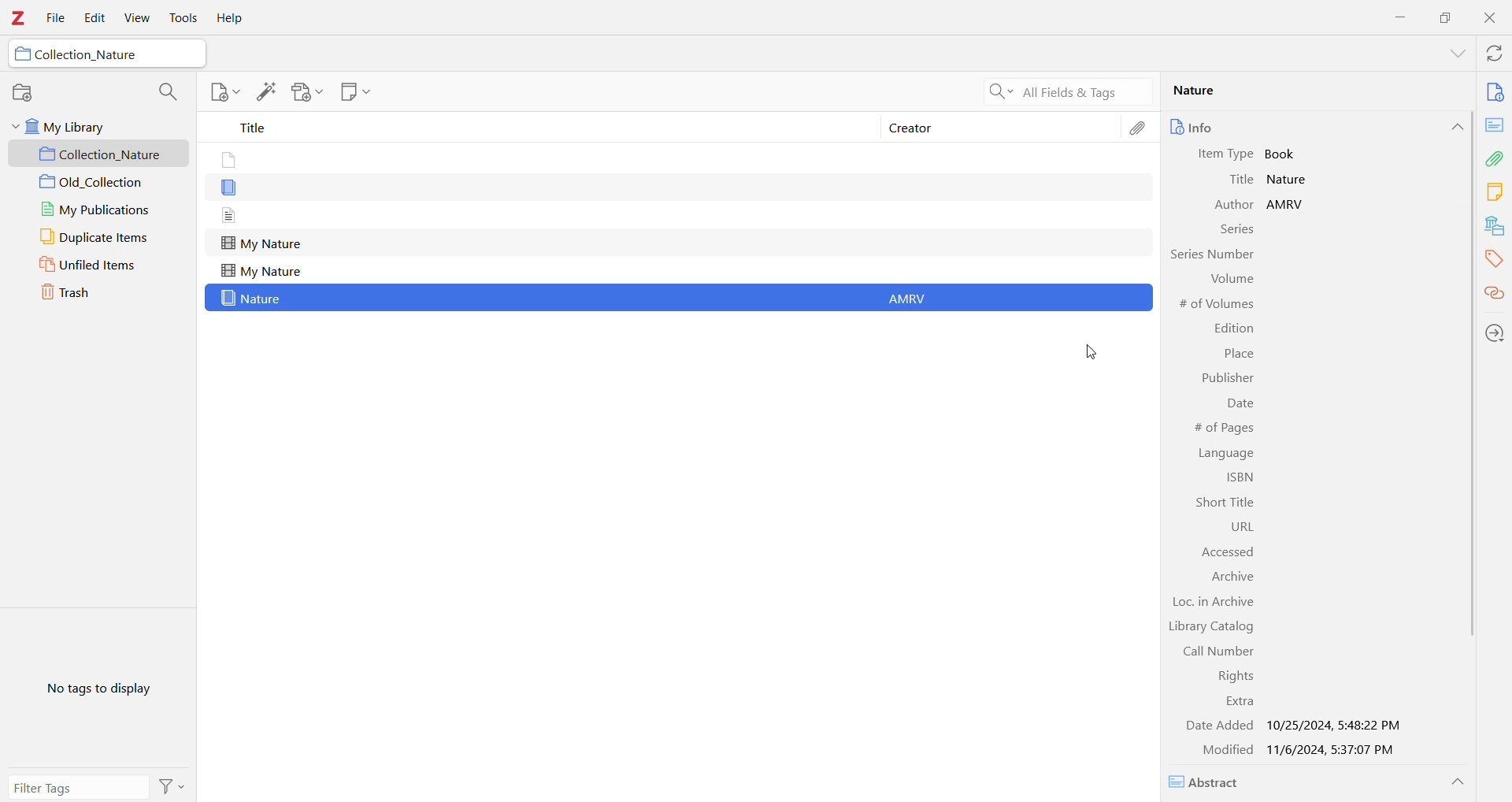 The width and height of the screenshot is (1512, 802). Describe the element at coordinates (1494, 193) in the screenshot. I see `Notes` at that location.